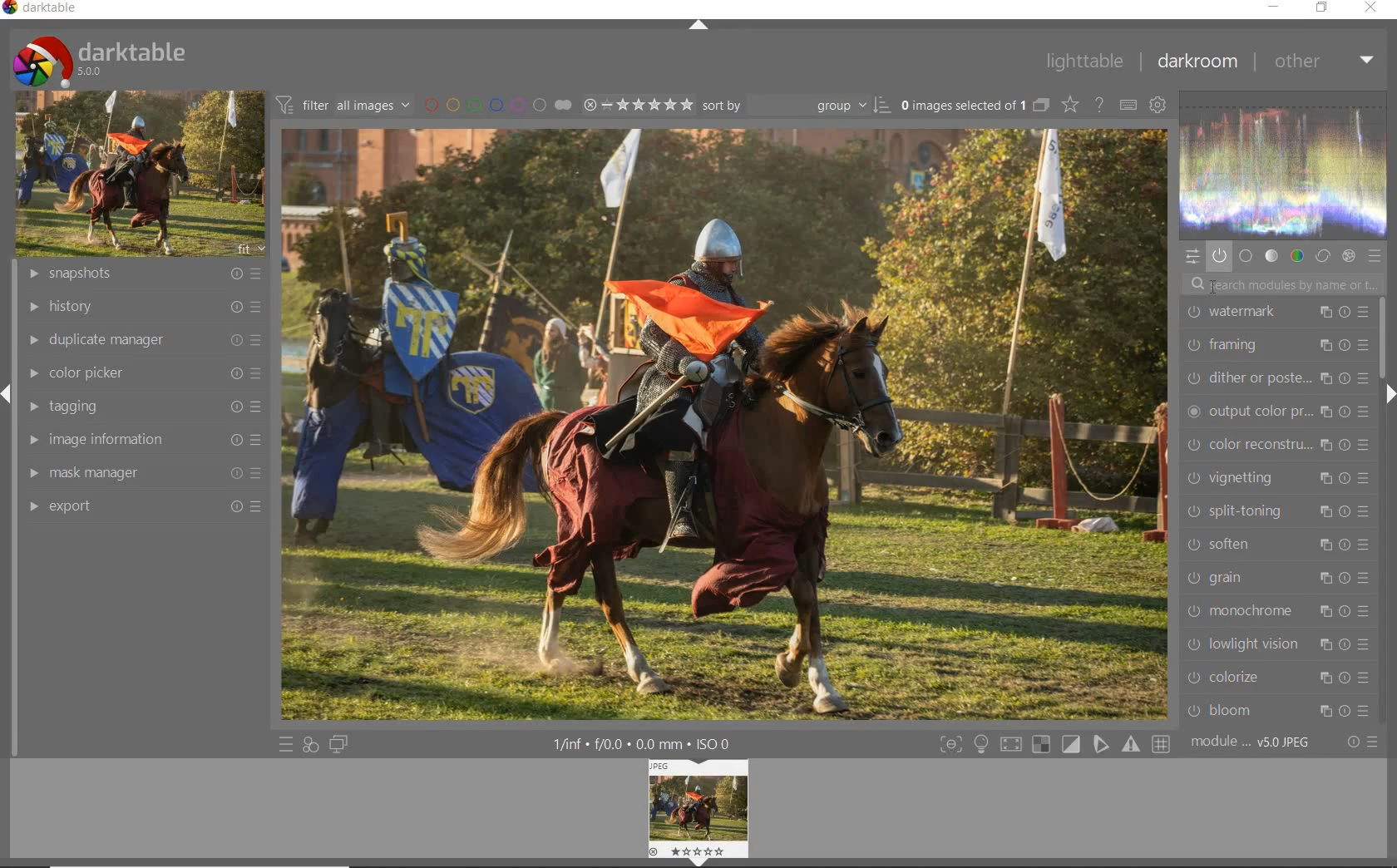  I want to click on color reconstruction, so click(1277, 445).